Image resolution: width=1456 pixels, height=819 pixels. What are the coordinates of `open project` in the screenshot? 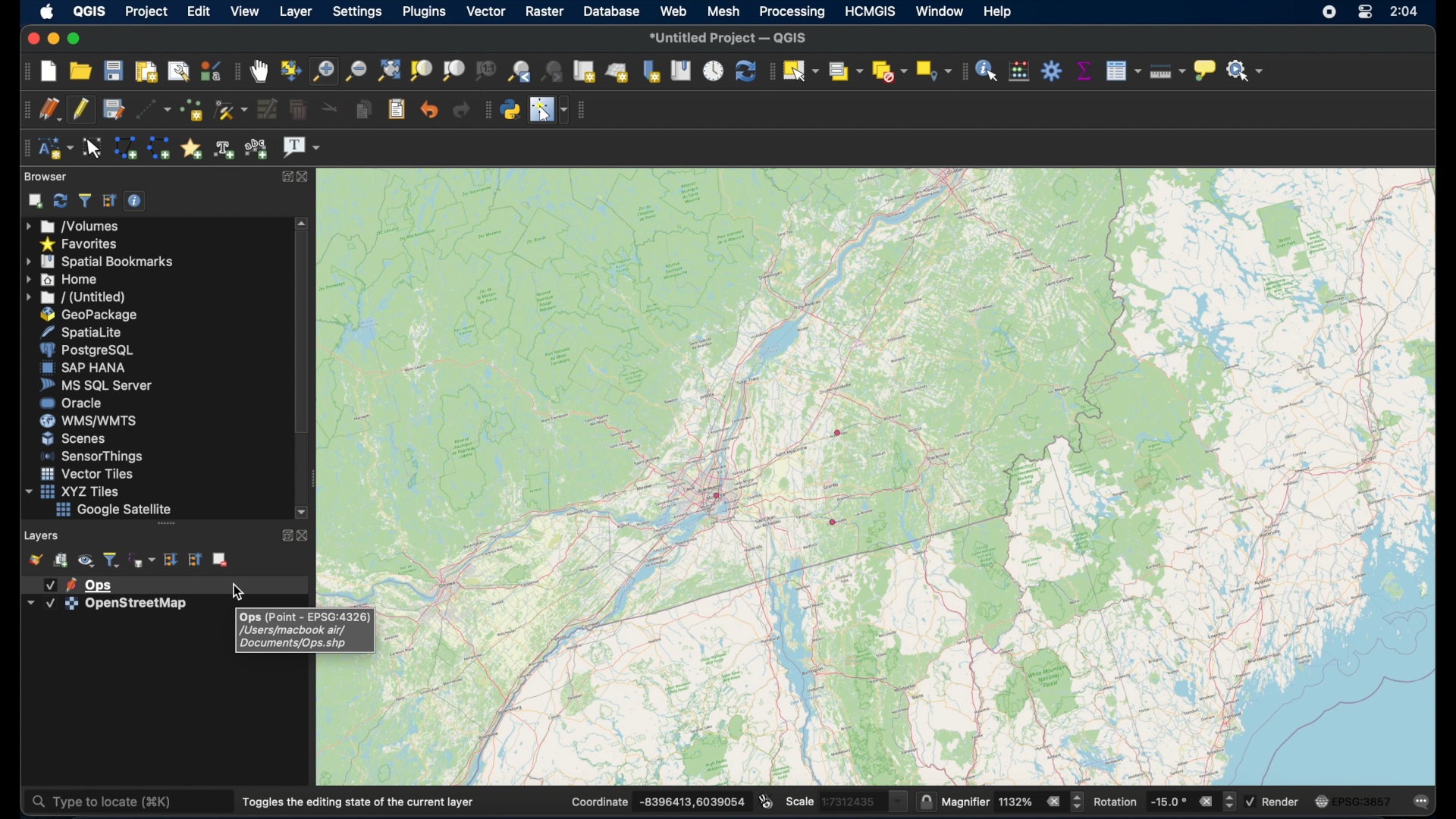 It's located at (80, 71).